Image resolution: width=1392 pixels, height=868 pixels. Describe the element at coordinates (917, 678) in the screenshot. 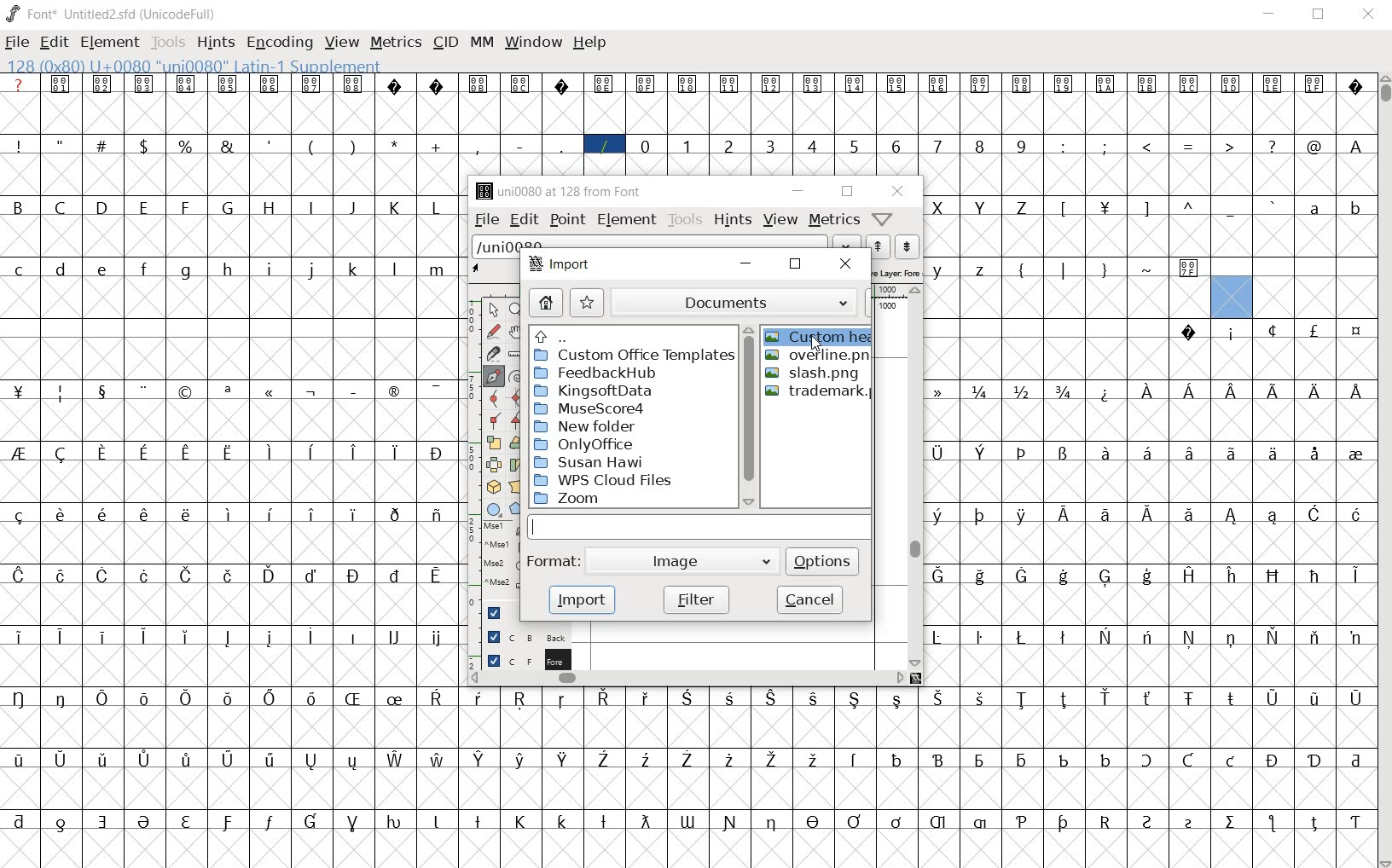

I see `resize` at that location.